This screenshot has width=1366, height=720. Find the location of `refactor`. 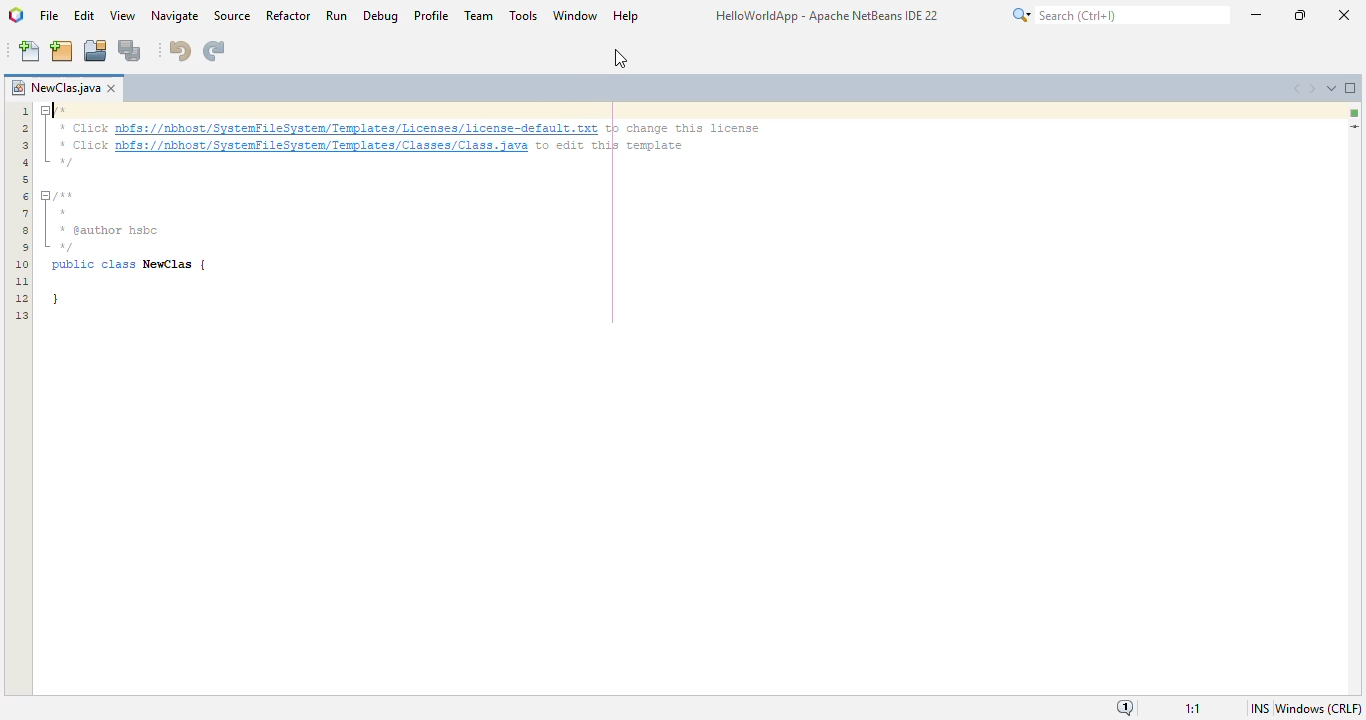

refactor is located at coordinates (288, 15).